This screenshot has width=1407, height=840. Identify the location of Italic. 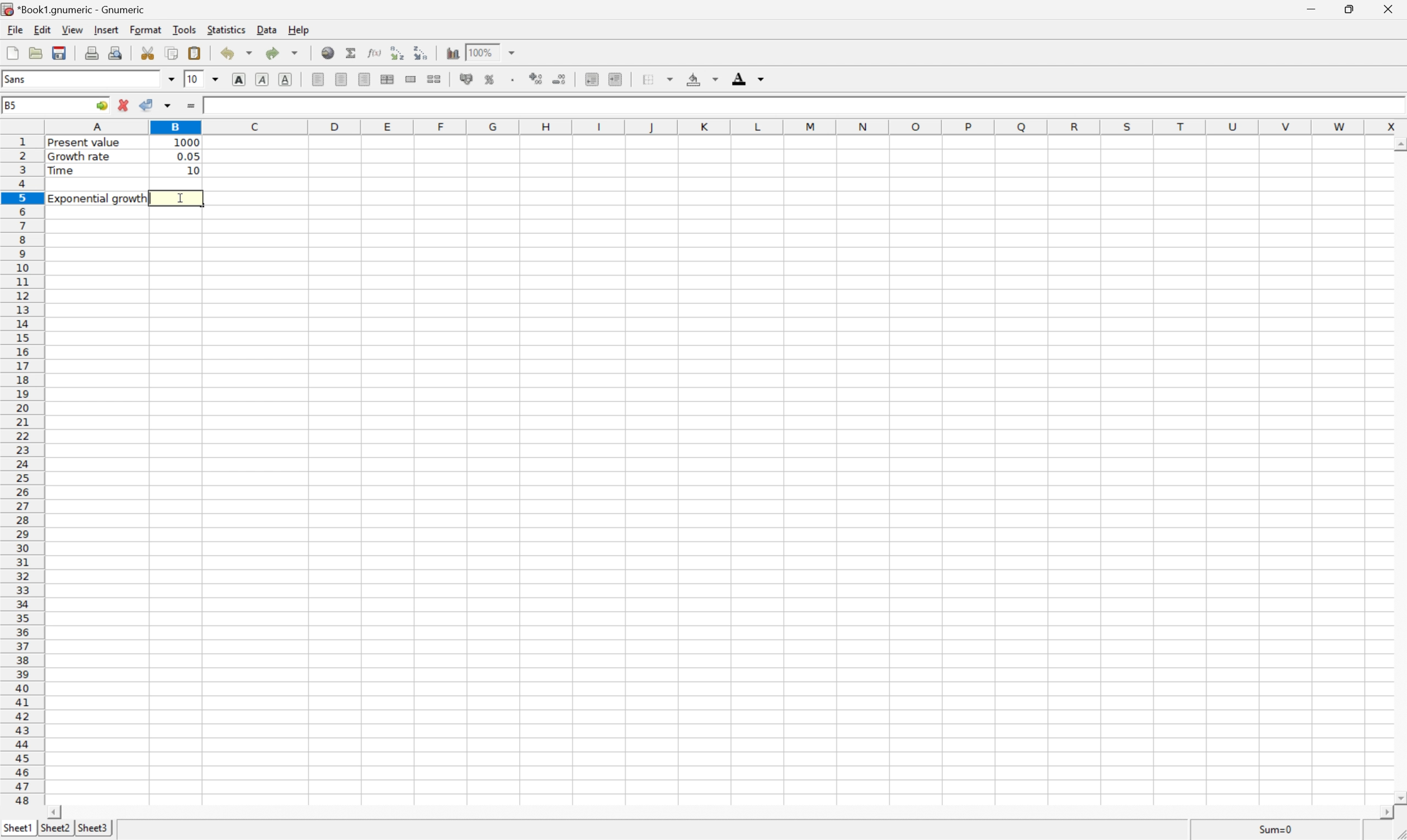
(261, 79).